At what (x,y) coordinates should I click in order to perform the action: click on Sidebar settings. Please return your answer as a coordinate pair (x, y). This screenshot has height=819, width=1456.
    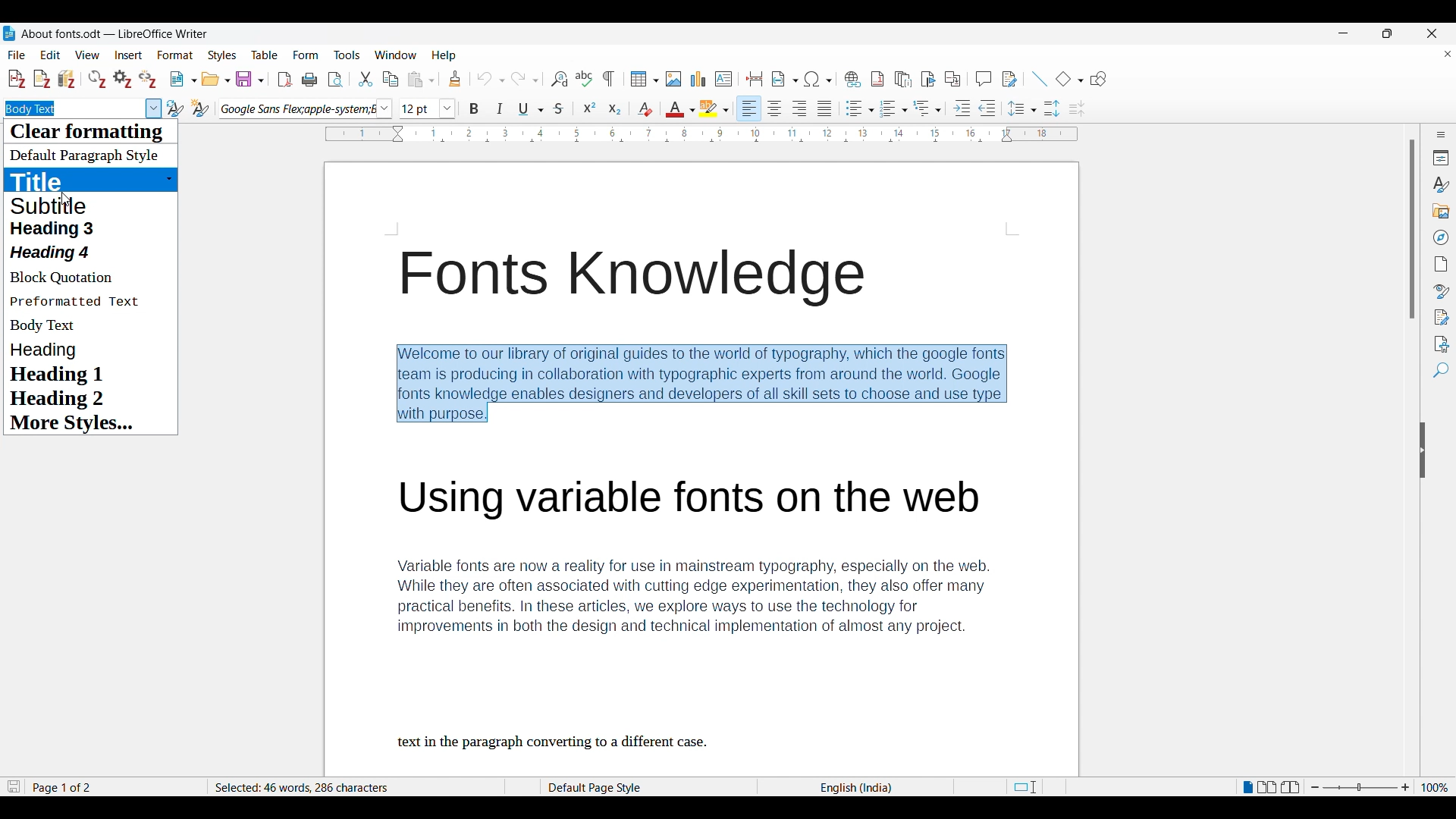
    Looking at the image, I should click on (1441, 134).